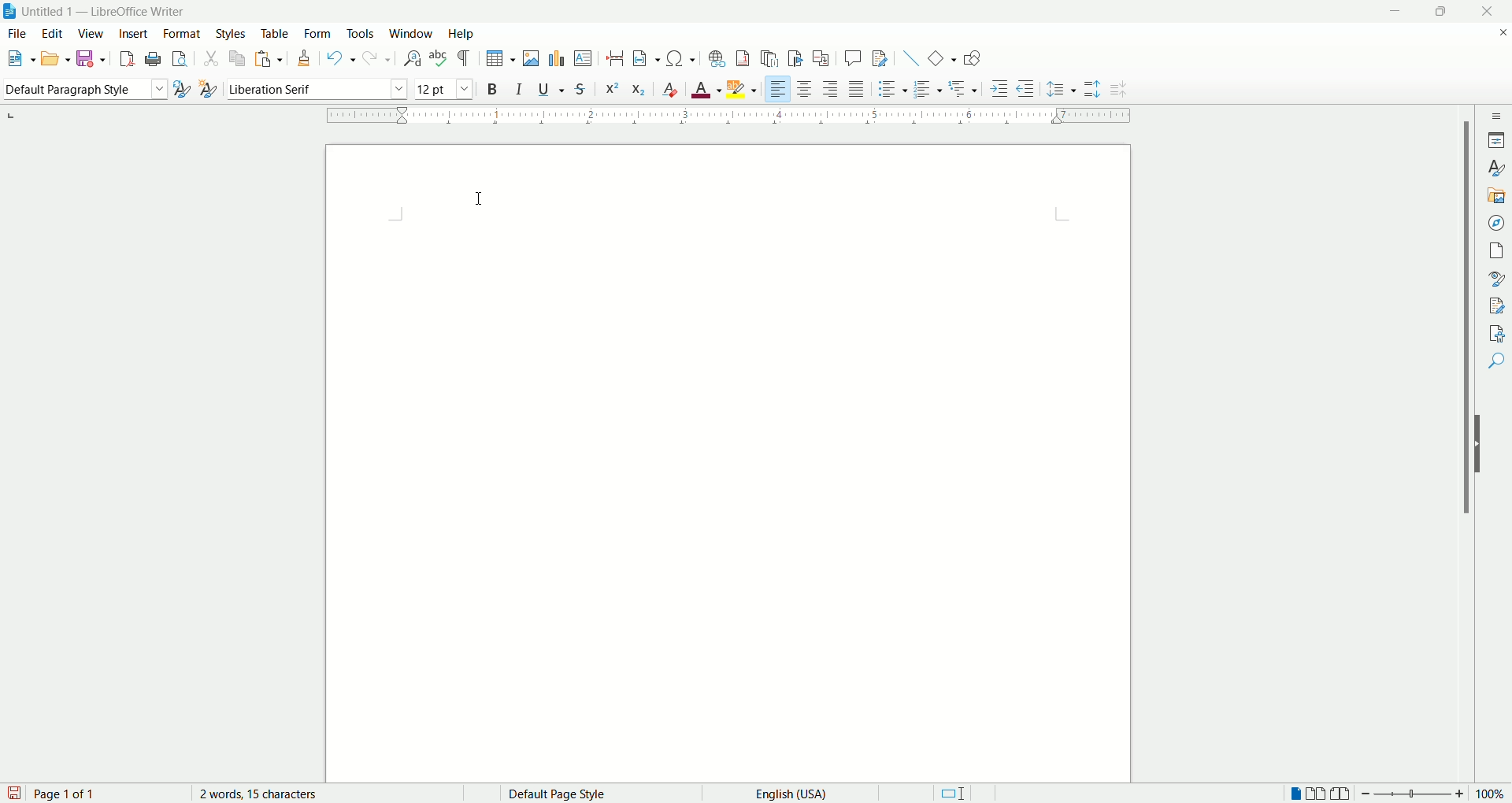  Describe the element at coordinates (361, 34) in the screenshot. I see `tools` at that location.